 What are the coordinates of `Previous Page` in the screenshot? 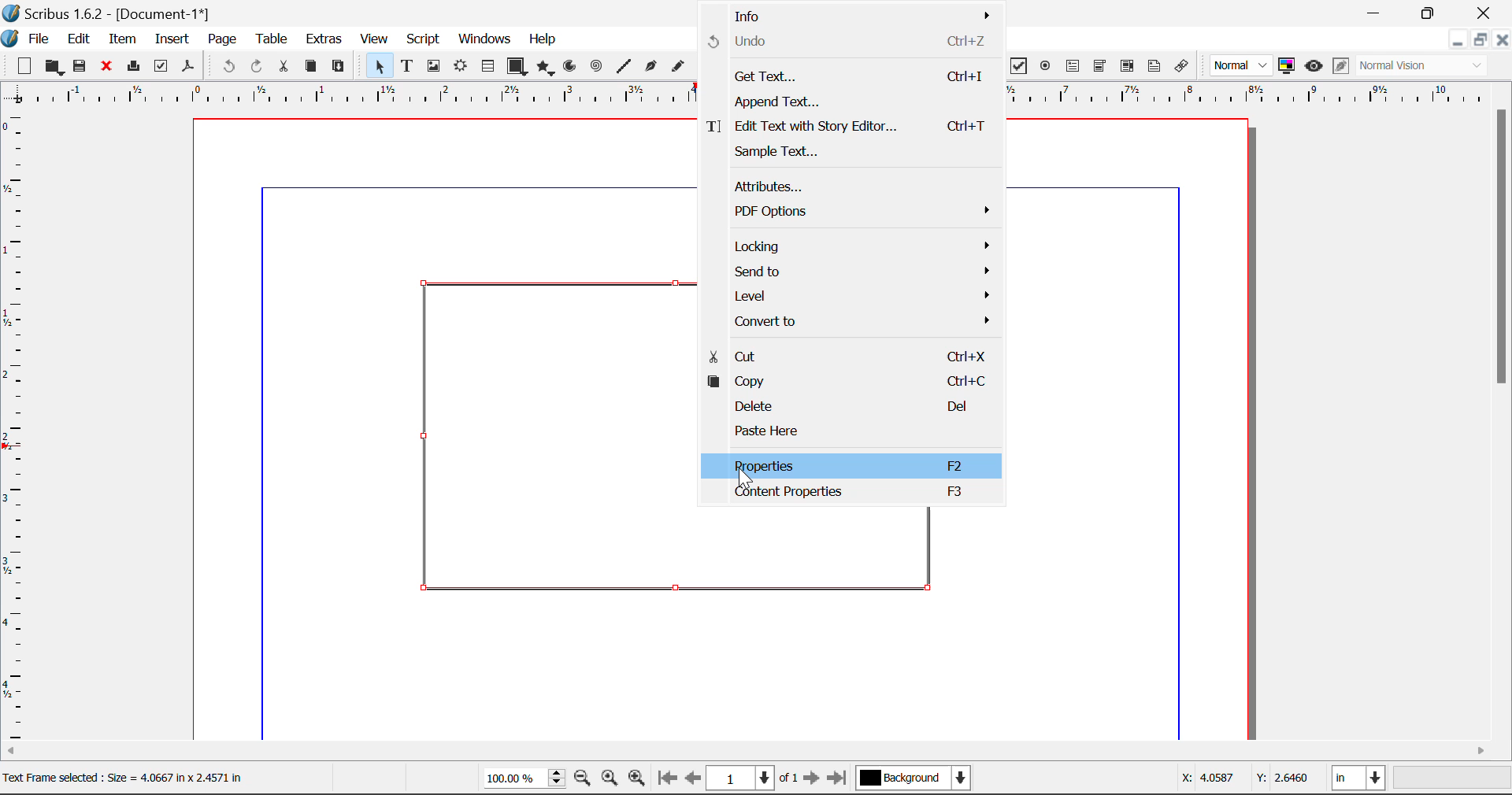 It's located at (695, 781).